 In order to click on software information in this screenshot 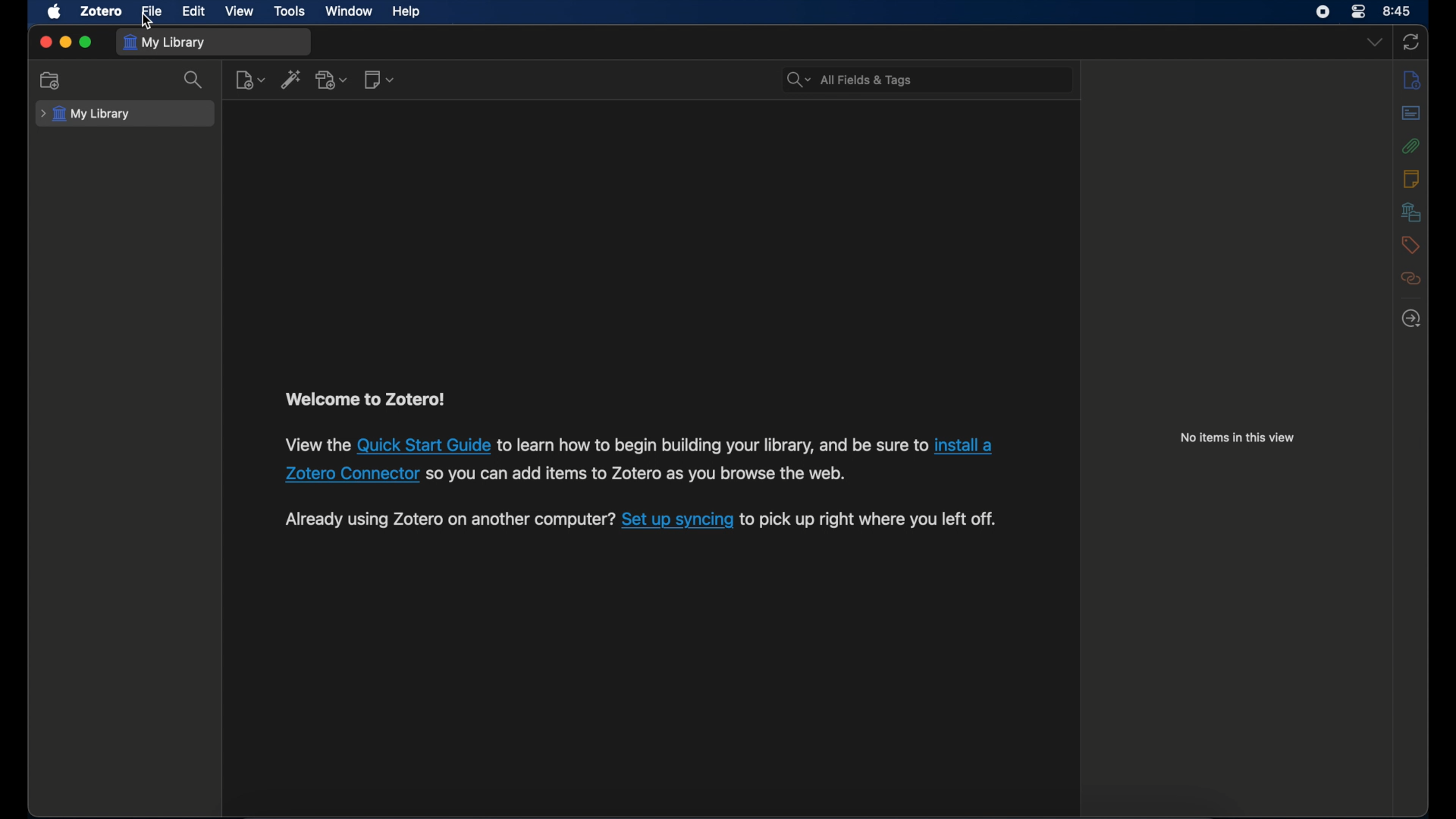, I will do `click(711, 444)`.